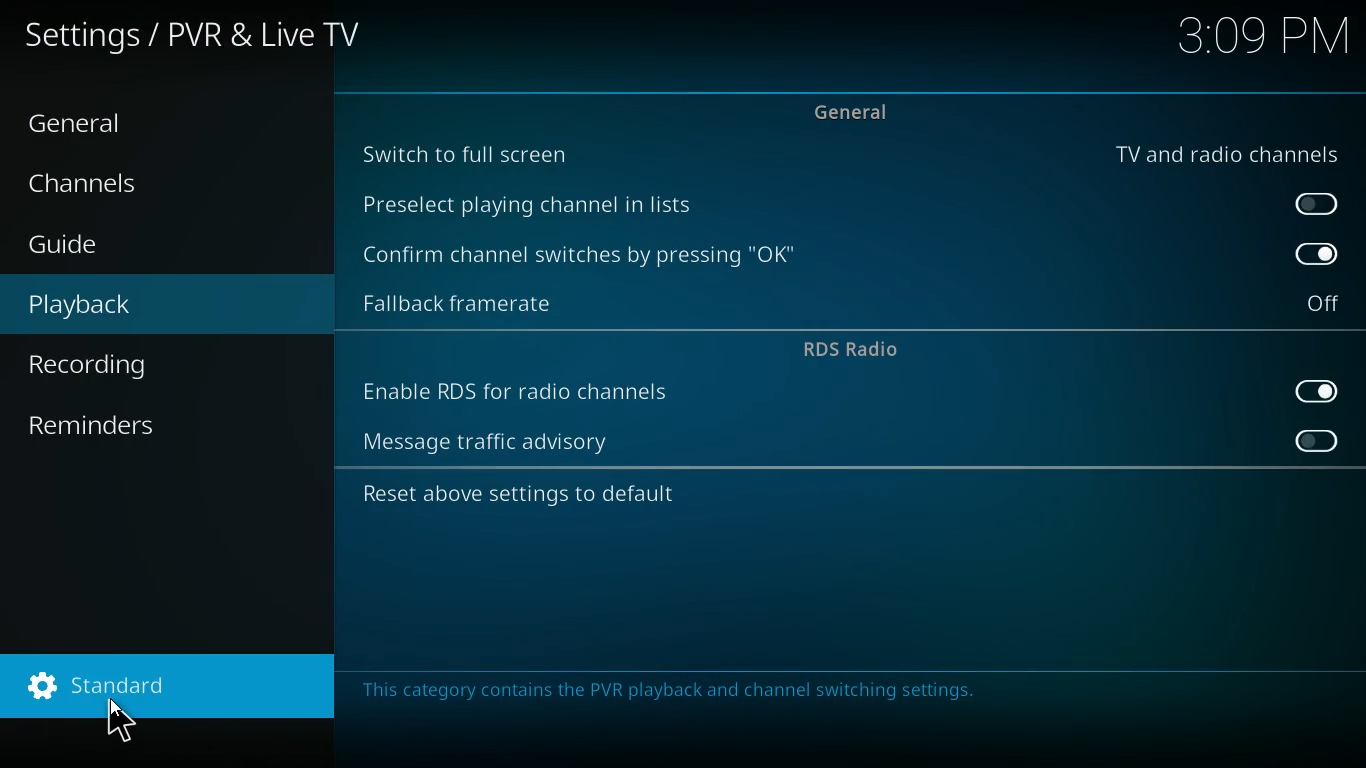 The image size is (1366, 768). I want to click on rds radio, so click(849, 349).